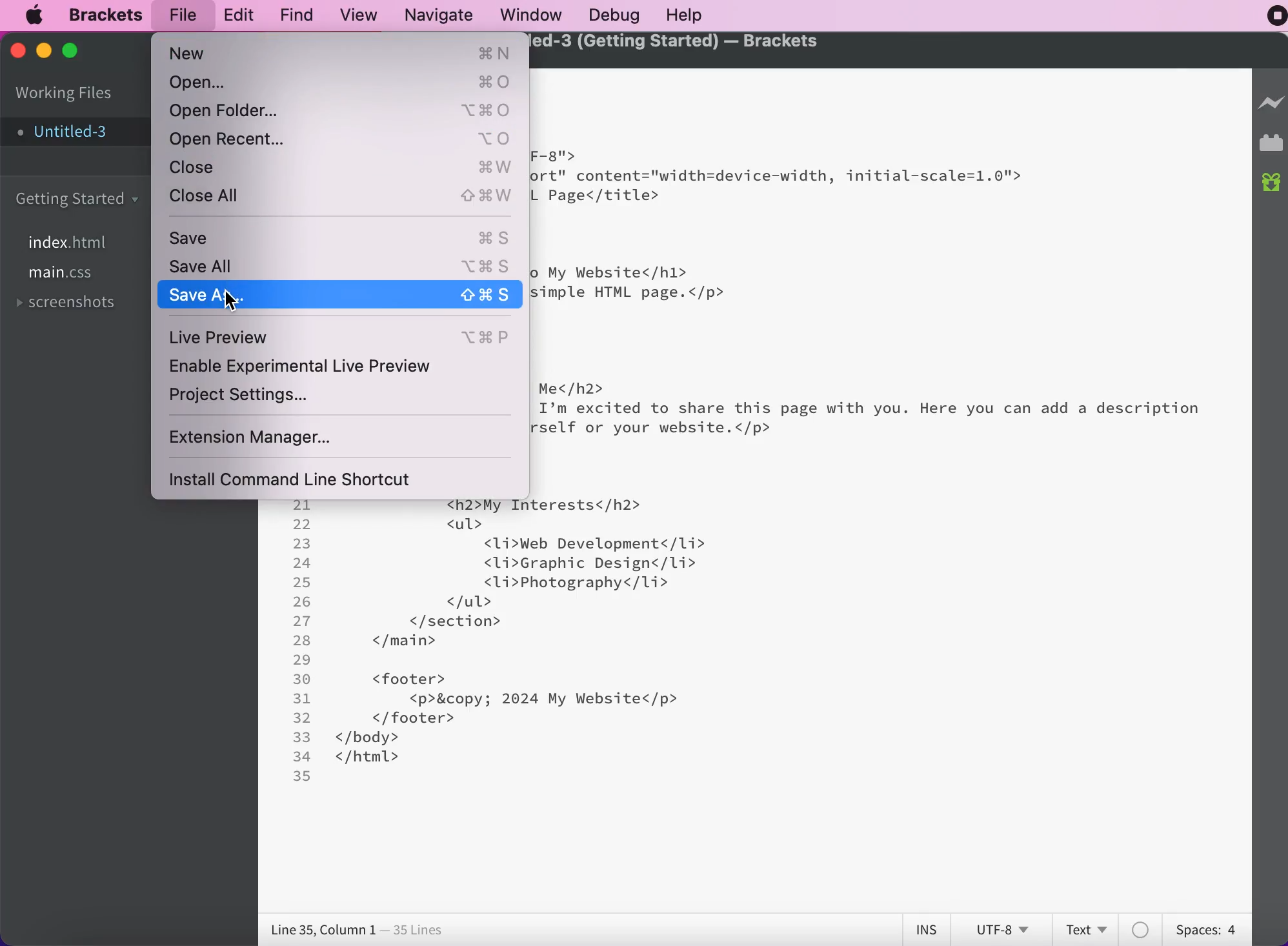 Image resolution: width=1288 pixels, height=946 pixels. What do you see at coordinates (303, 718) in the screenshot?
I see `32` at bounding box center [303, 718].